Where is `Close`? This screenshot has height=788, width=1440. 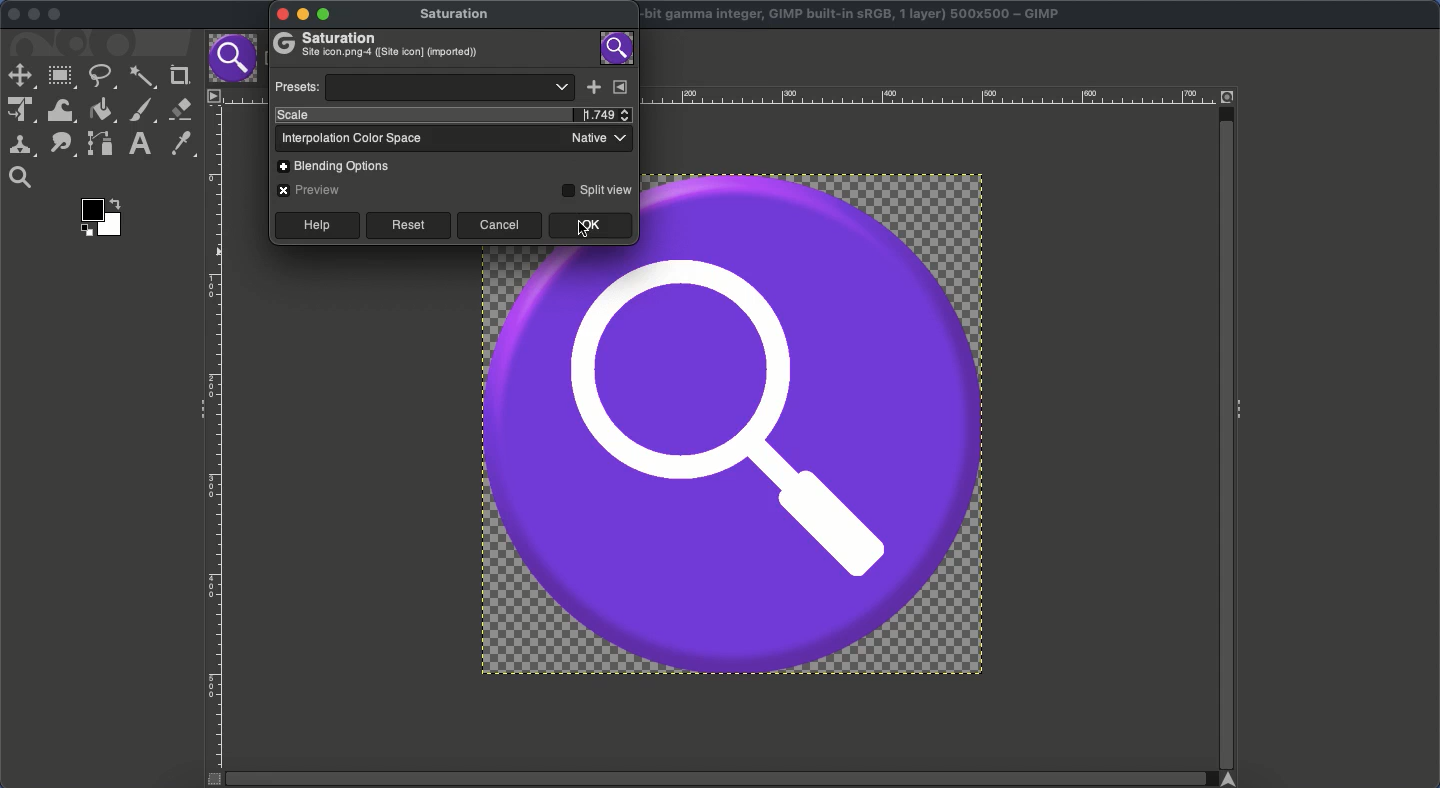
Close is located at coordinates (12, 13).